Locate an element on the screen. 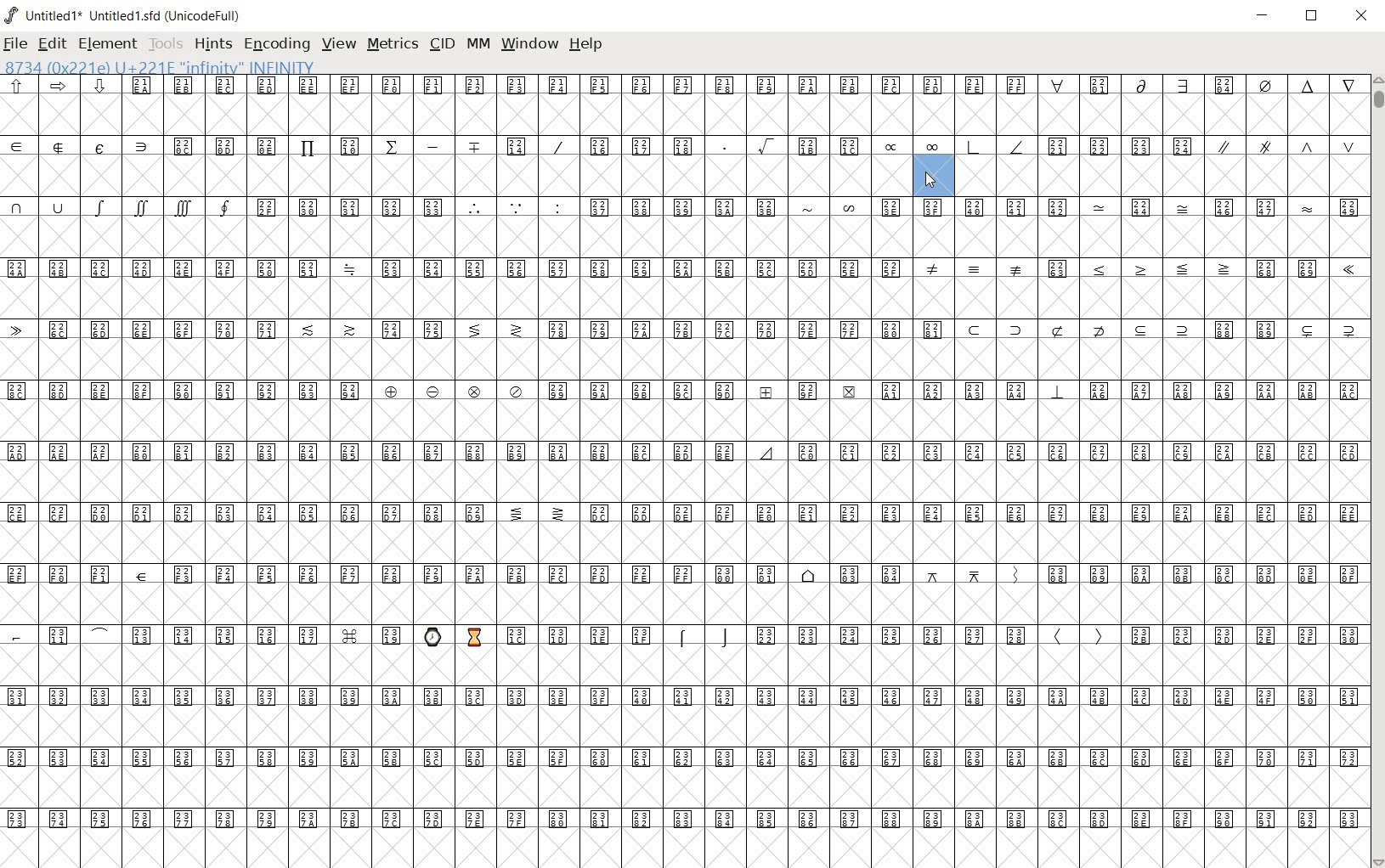 The height and width of the screenshot is (868, 1385). edit is located at coordinates (51, 43).